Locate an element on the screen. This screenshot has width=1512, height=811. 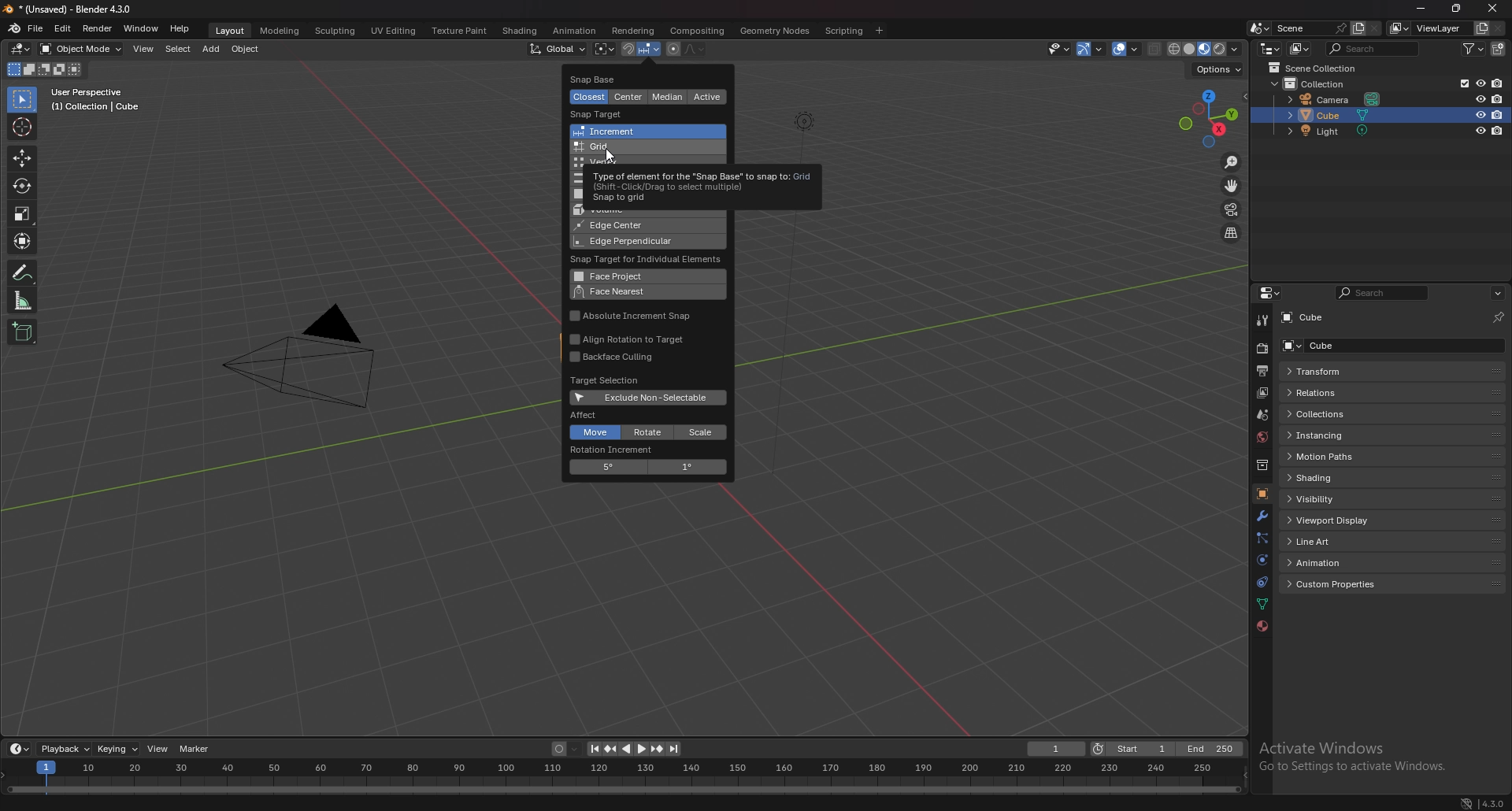
view layer is located at coordinates (1429, 28).